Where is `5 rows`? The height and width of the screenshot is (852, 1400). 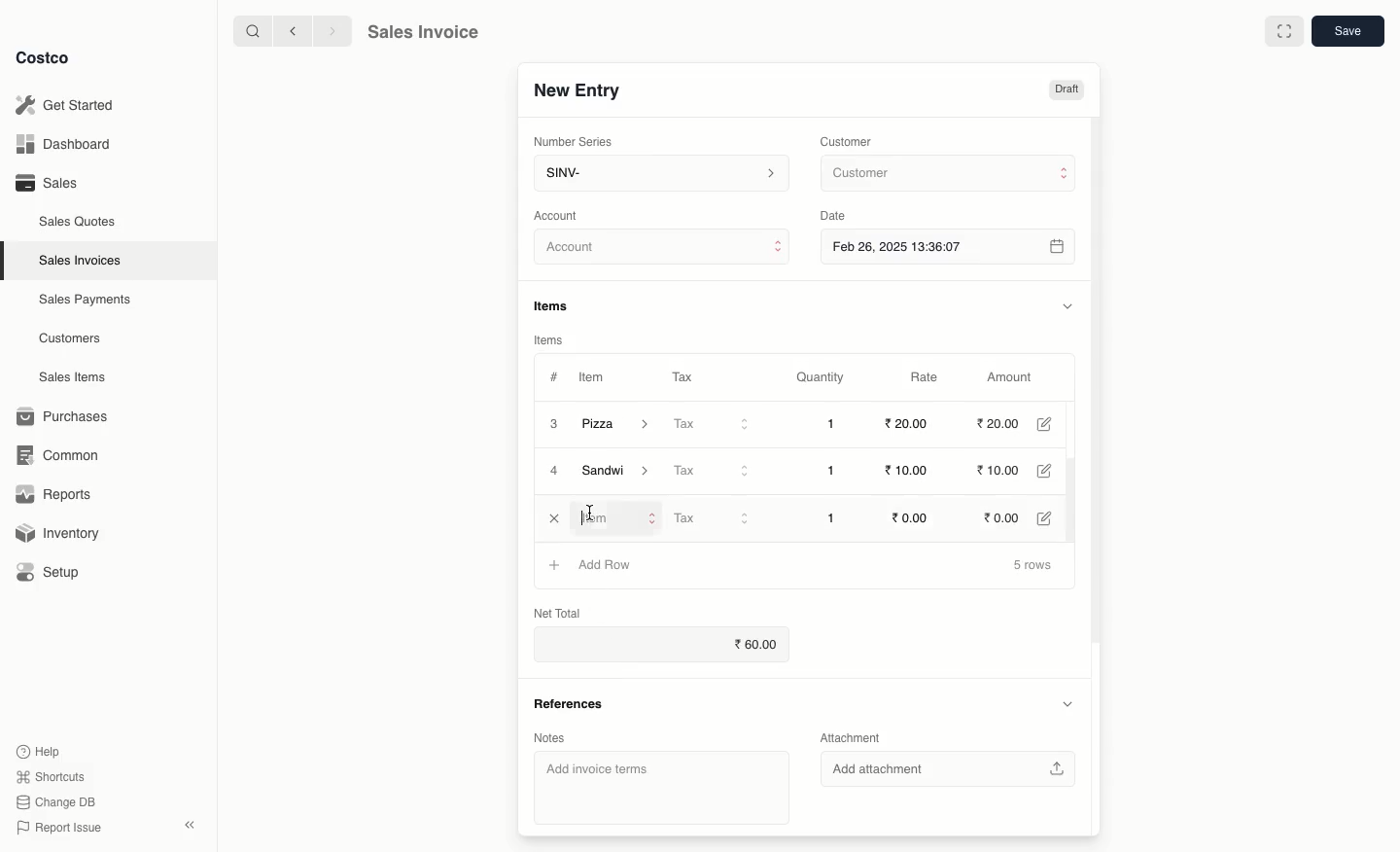 5 rows is located at coordinates (1033, 566).